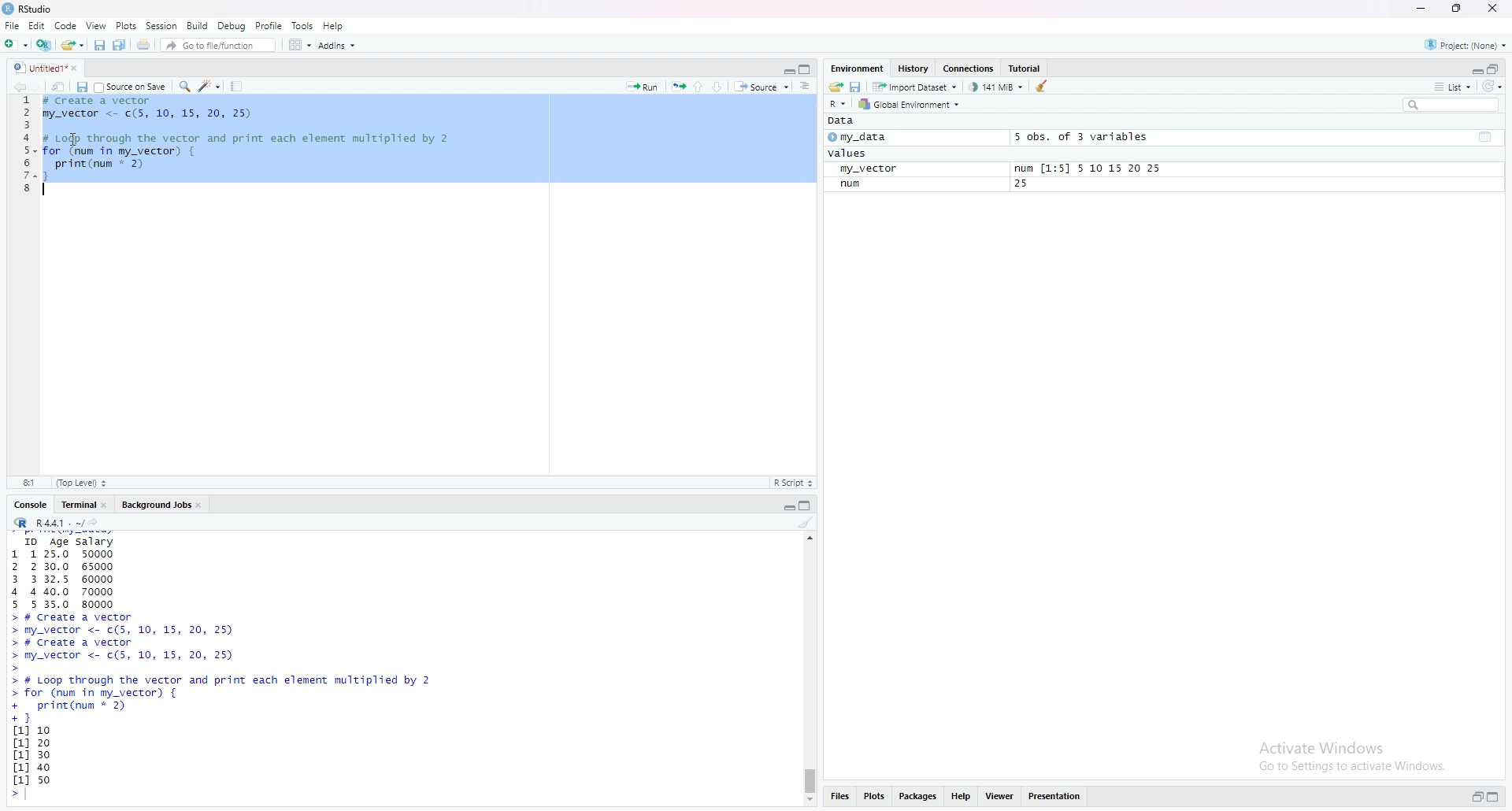 The image size is (1512, 811). What do you see at coordinates (998, 87) in the screenshot?
I see `141 MB` at bounding box center [998, 87].